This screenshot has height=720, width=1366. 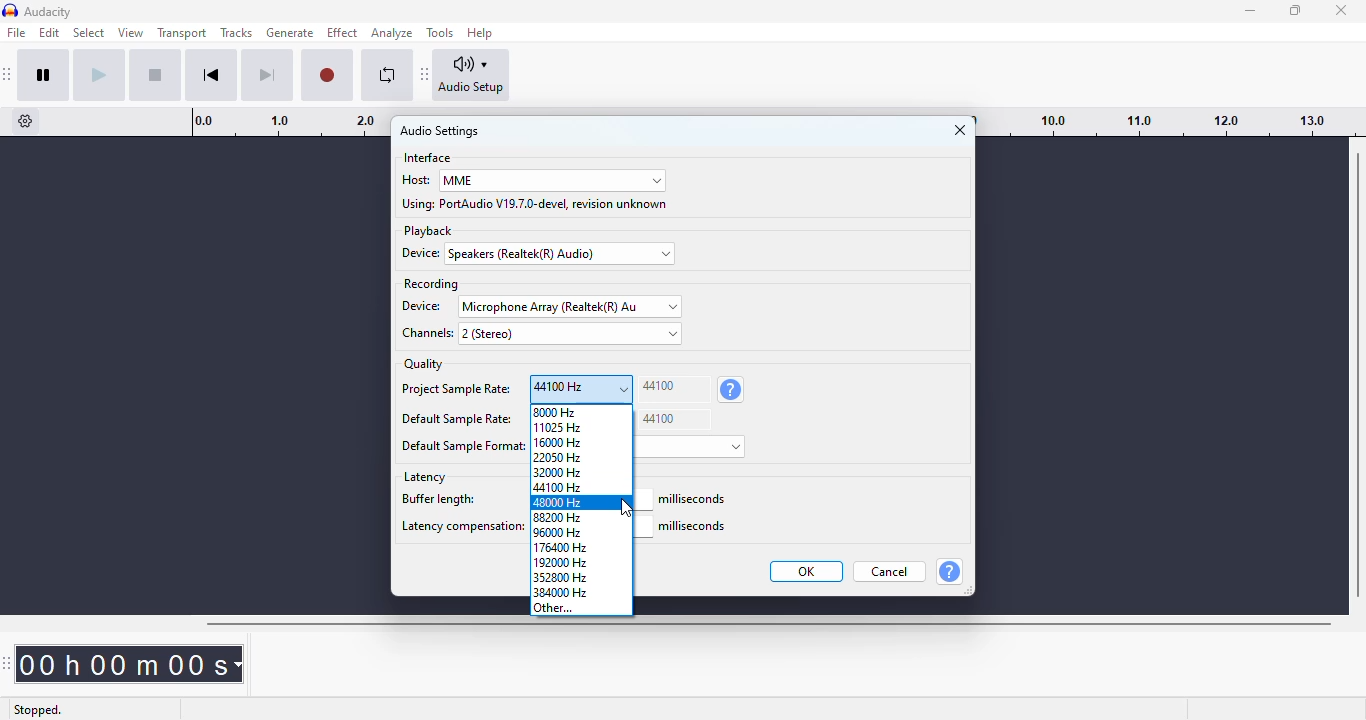 I want to click on recording, so click(x=430, y=284).